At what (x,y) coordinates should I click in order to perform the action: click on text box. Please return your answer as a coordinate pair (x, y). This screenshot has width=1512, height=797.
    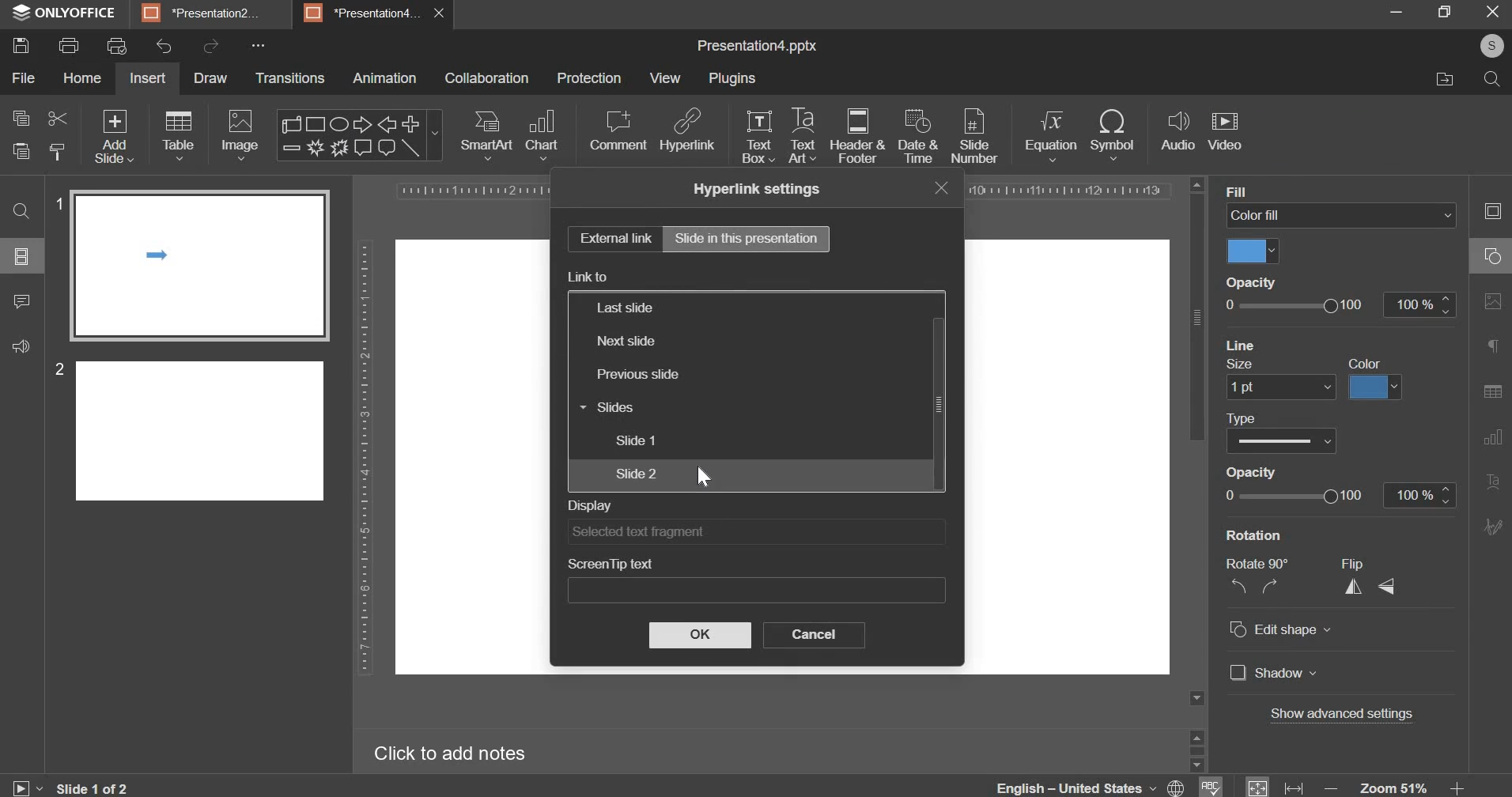
    Looking at the image, I should click on (760, 138).